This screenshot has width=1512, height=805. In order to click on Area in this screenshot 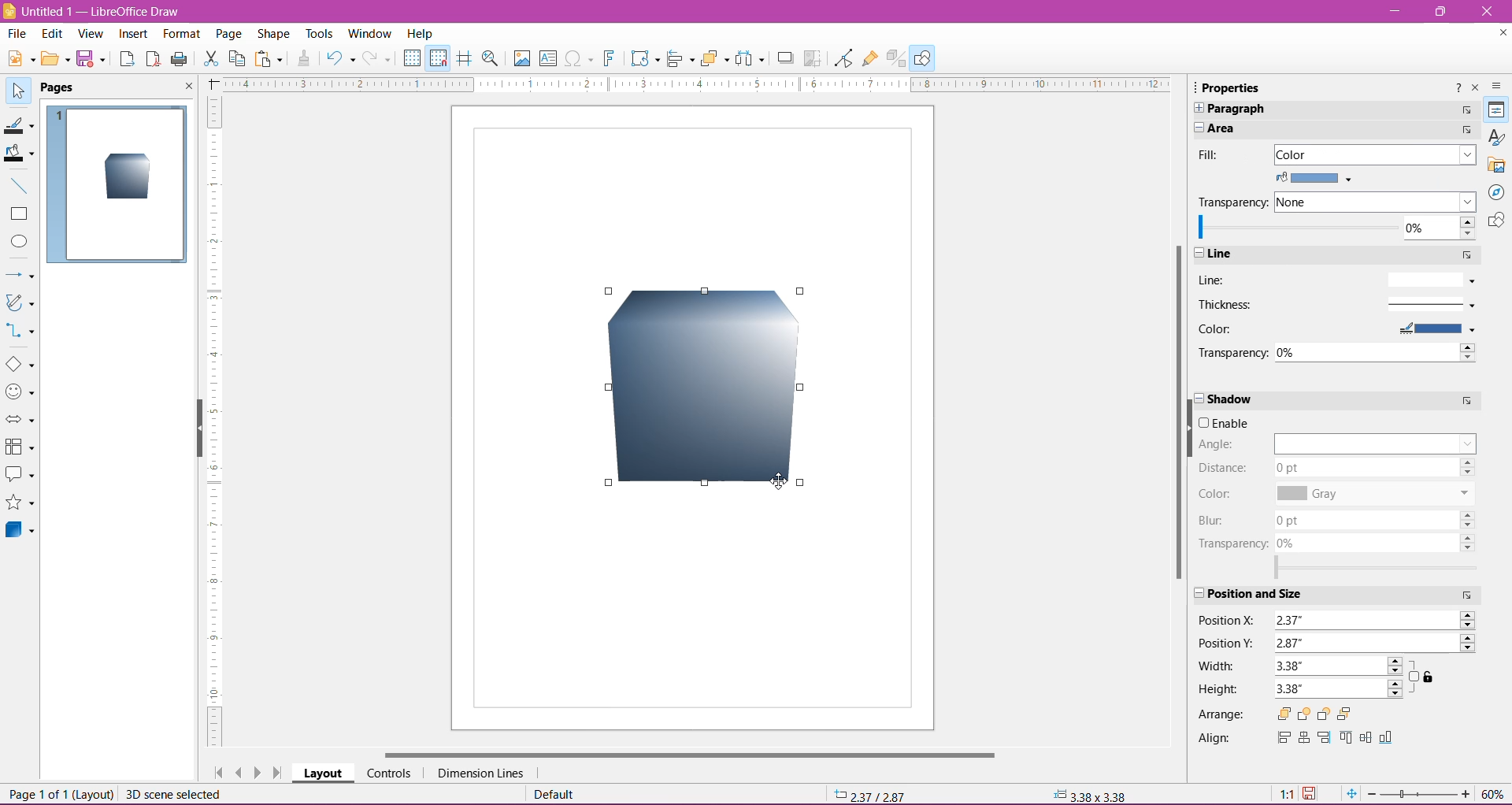, I will do `click(1310, 128)`.